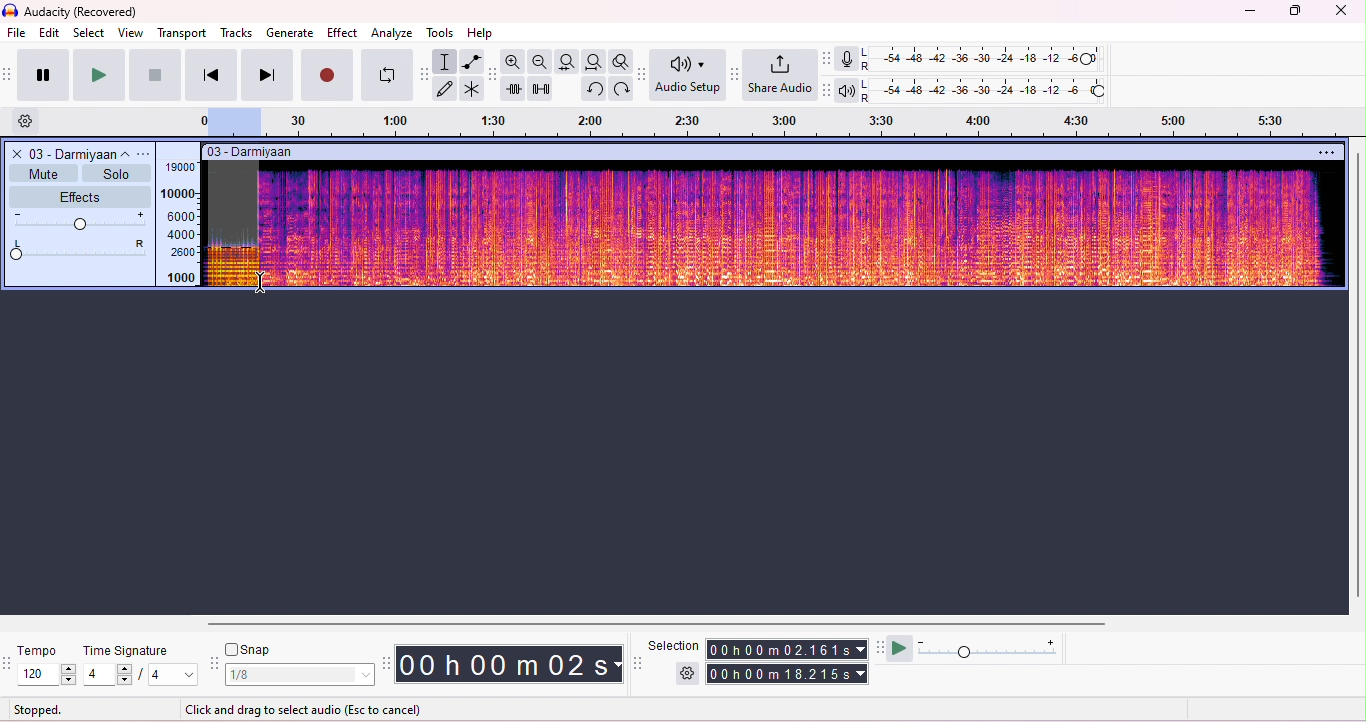 The image size is (1366, 722). Describe the element at coordinates (687, 75) in the screenshot. I see `Audio setup` at that location.